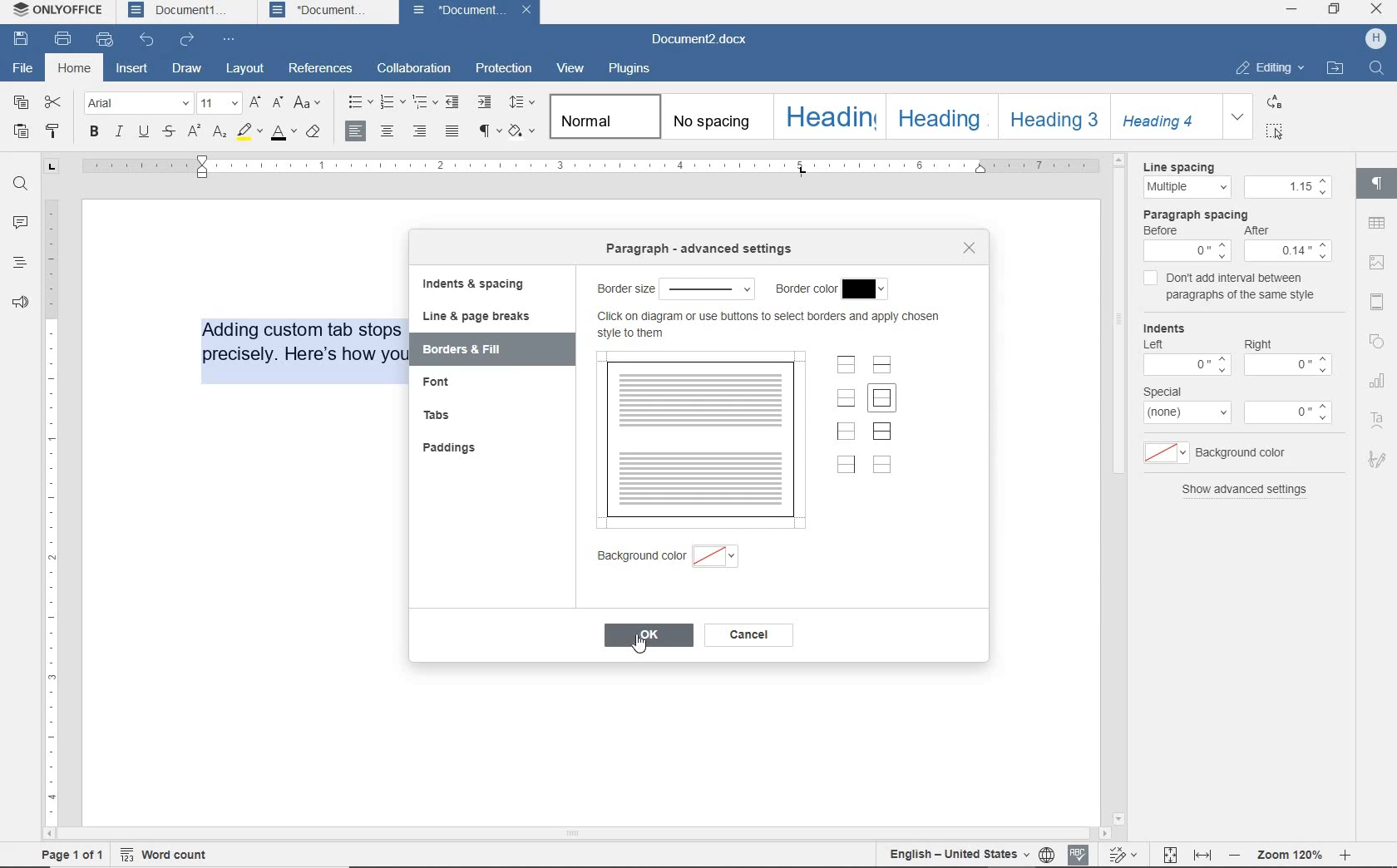 The image size is (1397, 868). I want to click on collaboration, so click(412, 69).